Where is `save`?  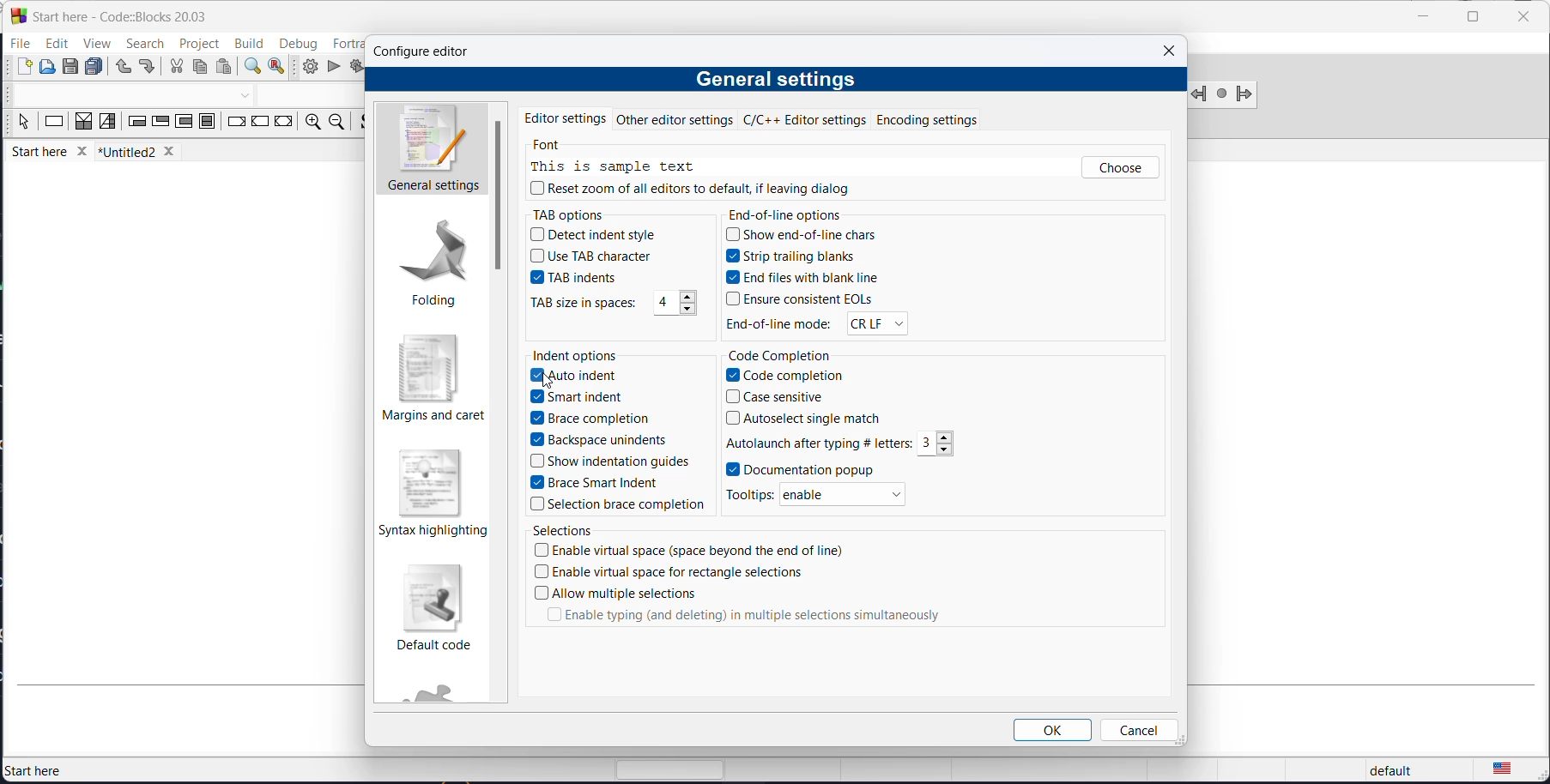 save is located at coordinates (72, 67).